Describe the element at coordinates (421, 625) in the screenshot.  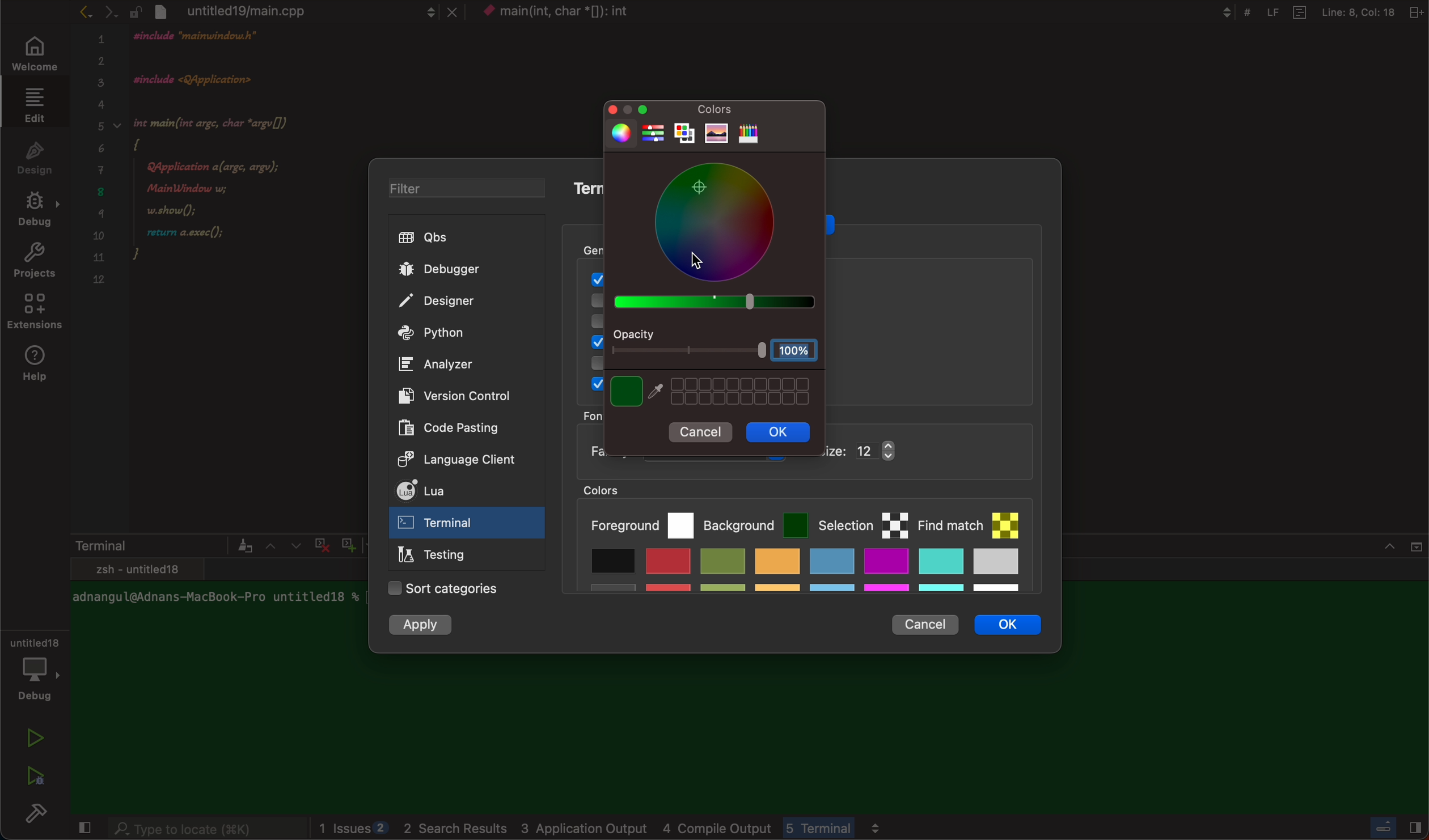
I see `apply` at that location.